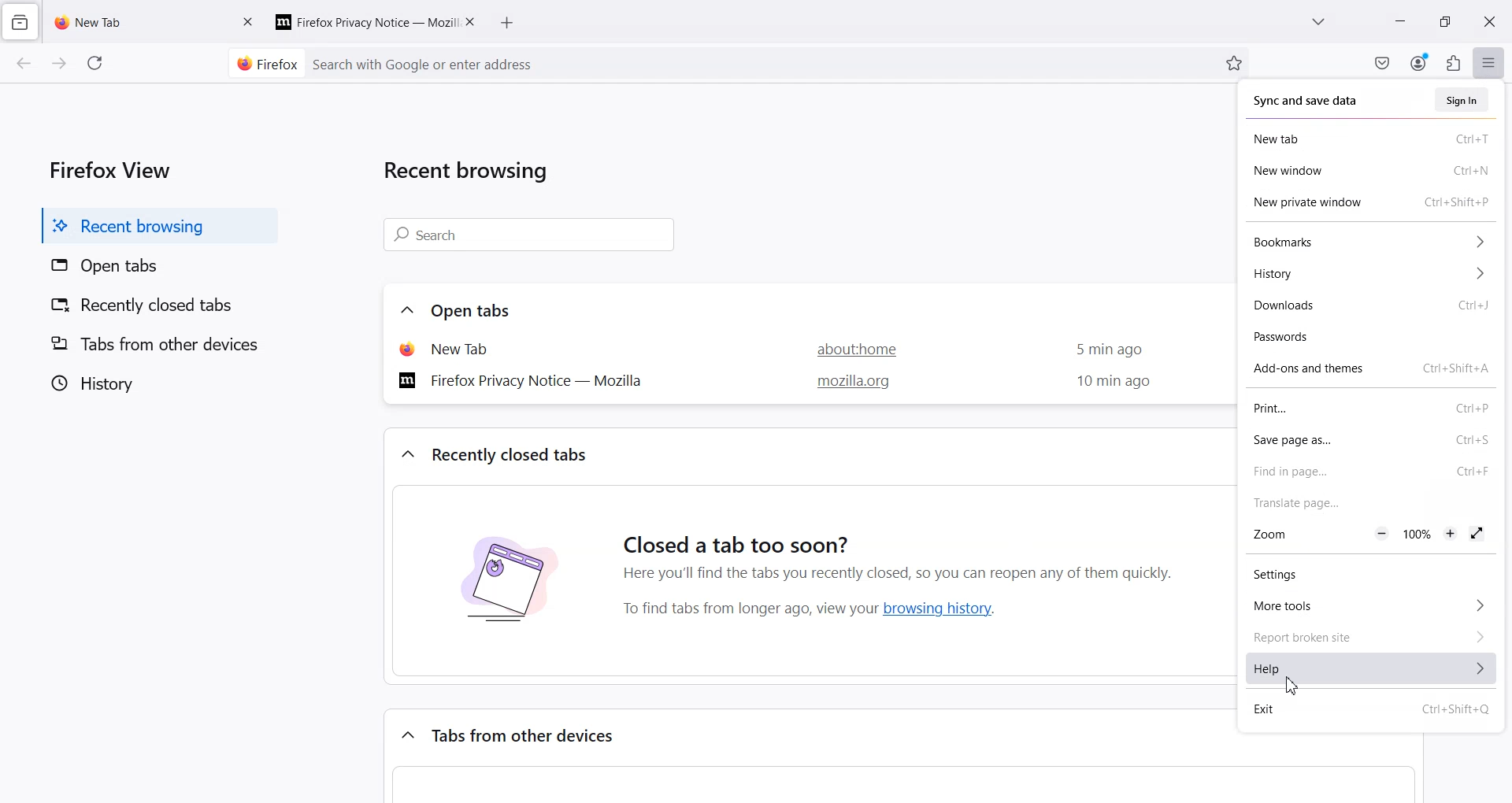 The image size is (1512, 803). Describe the element at coordinates (106, 168) in the screenshot. I see `Firefox View` at that location.